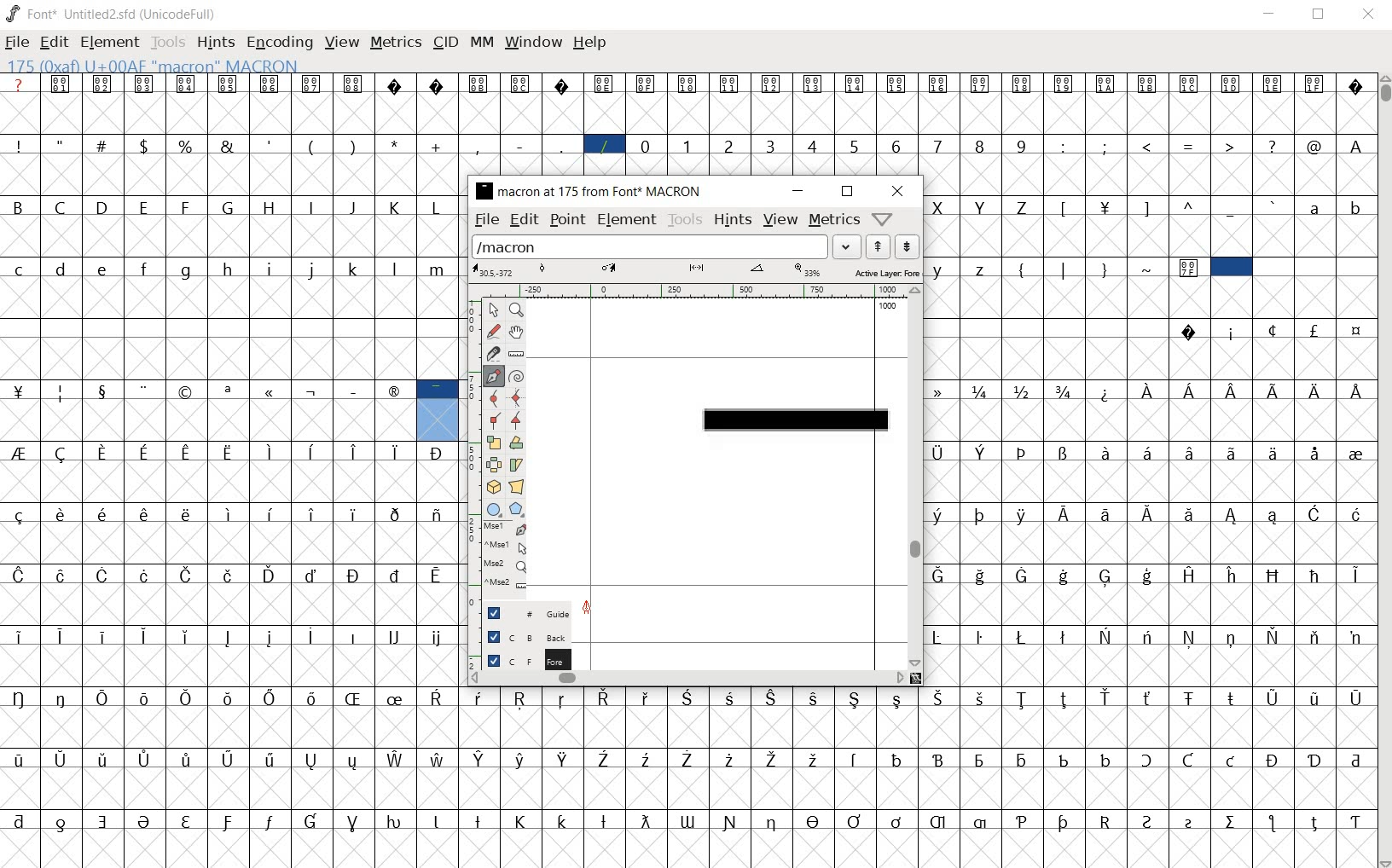 Image resolution: width=1392 pixels, height=868 pixels. Describe the element at coordinates (148, 698) in the screenshot. I see `Symbol` at that location.